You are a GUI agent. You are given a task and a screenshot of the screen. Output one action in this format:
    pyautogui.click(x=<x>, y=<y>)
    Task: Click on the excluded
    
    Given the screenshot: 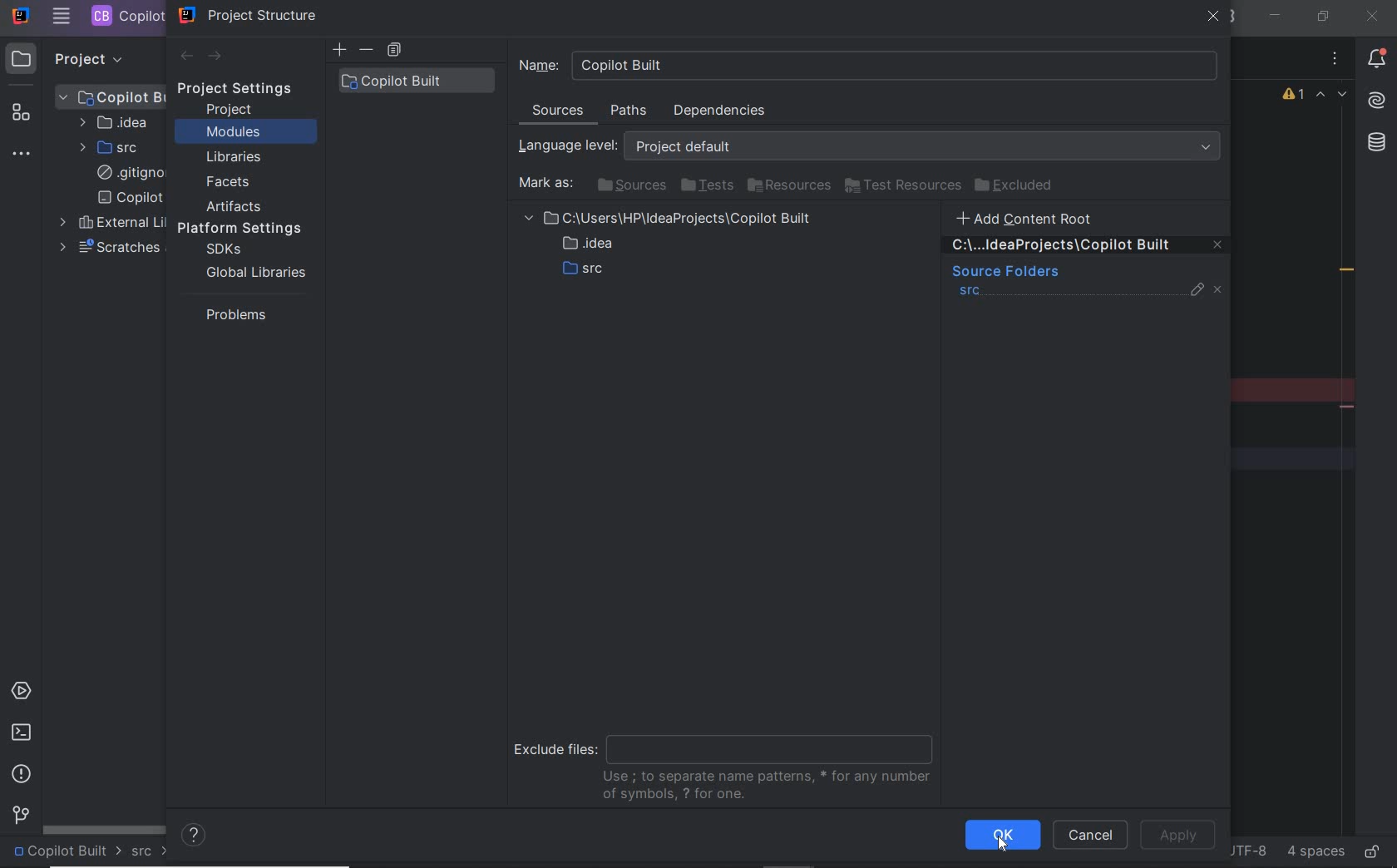 What is the action you would take?
    pyautogui.click(x=1017, y=185)
    